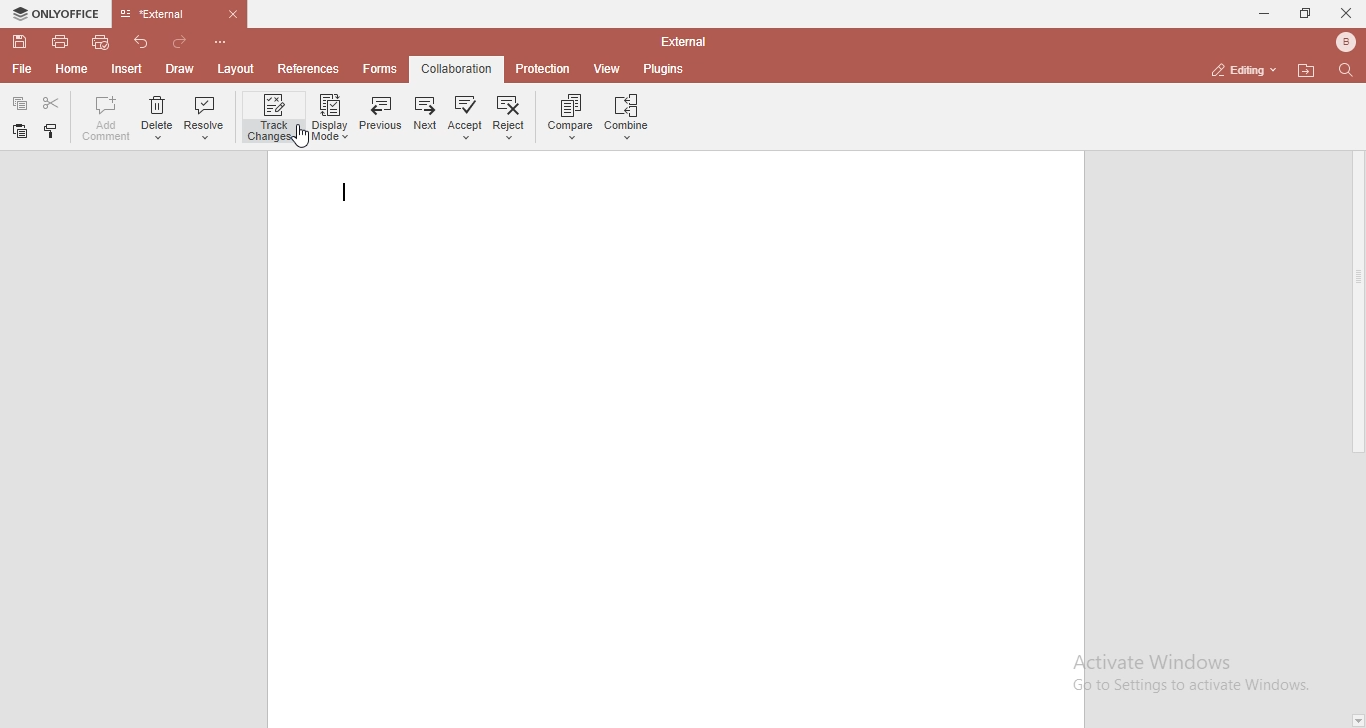 This screenshot has width=1366, height=728. What do you see at coordinates (423, 117) in the screenshot?
I see `next` at bounding box center [423, 117].